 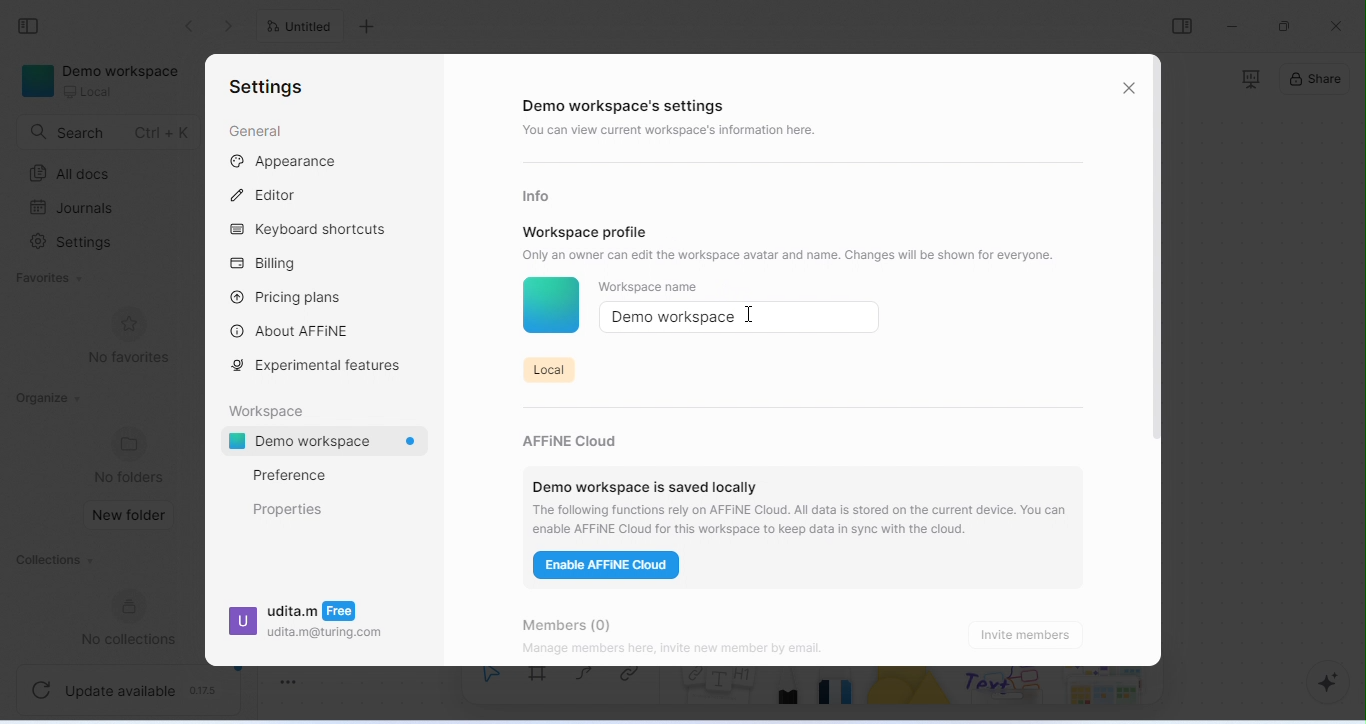 I want to click on others, so click(x=1007, y=688).